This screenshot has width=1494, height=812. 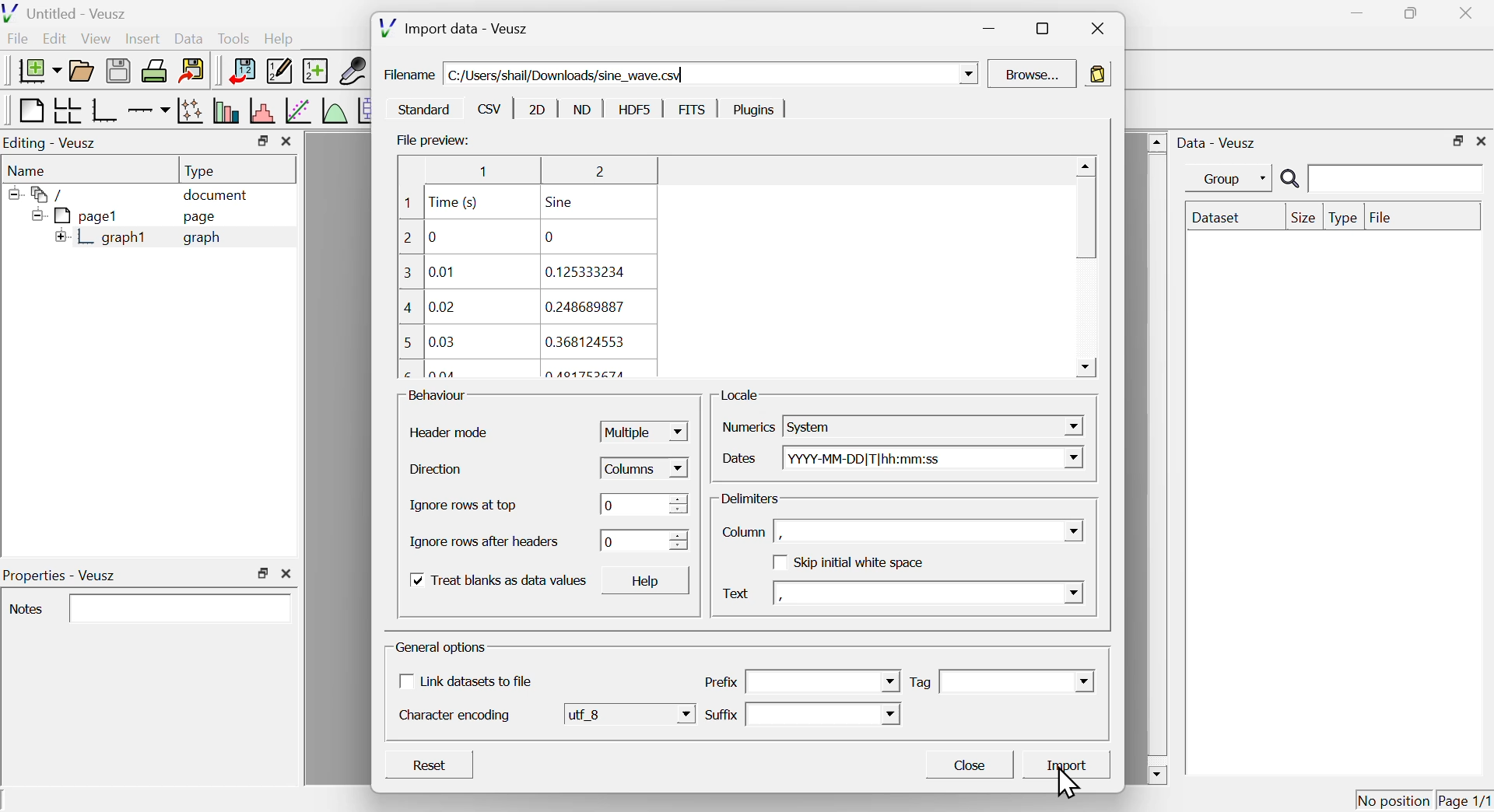 What do you see at coordinates (260, 141) in the screenshot?
I see `maximize` at bounding box center [260, 141].